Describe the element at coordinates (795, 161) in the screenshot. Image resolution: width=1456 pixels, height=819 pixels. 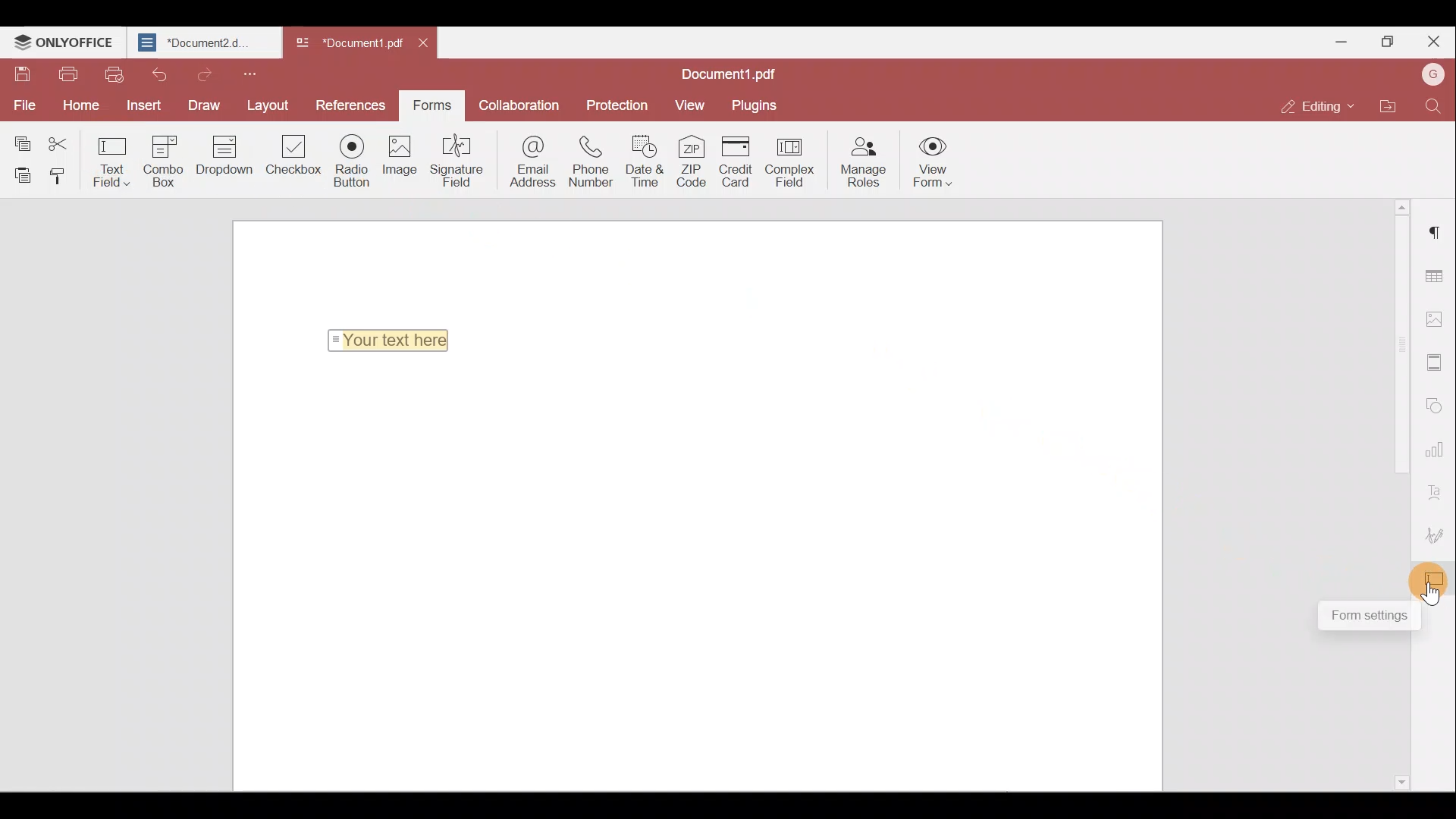
I see `Complex field` at that location.